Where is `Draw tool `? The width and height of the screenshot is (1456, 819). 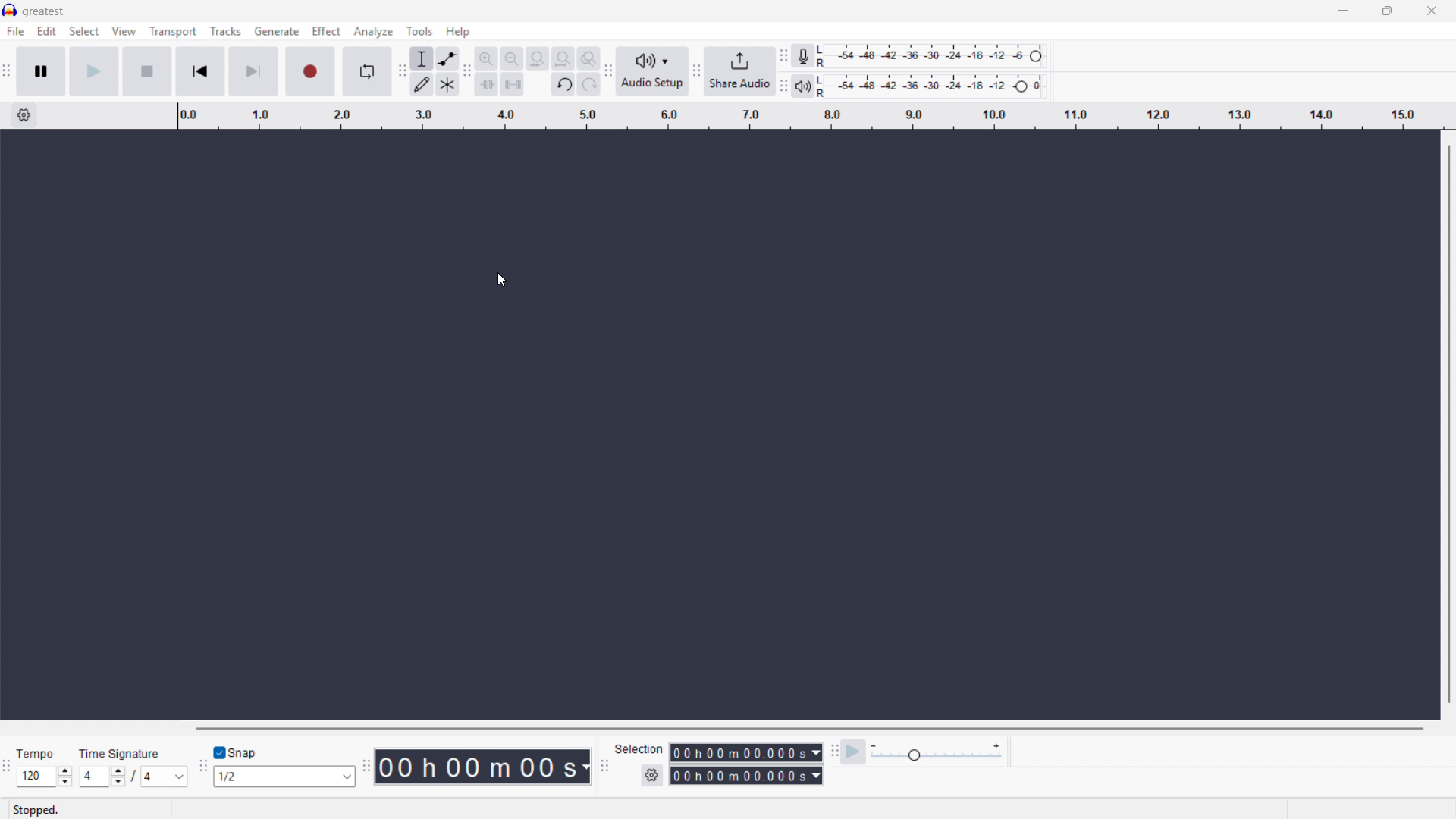
Draw tool  is located at coordinates (421, 84).